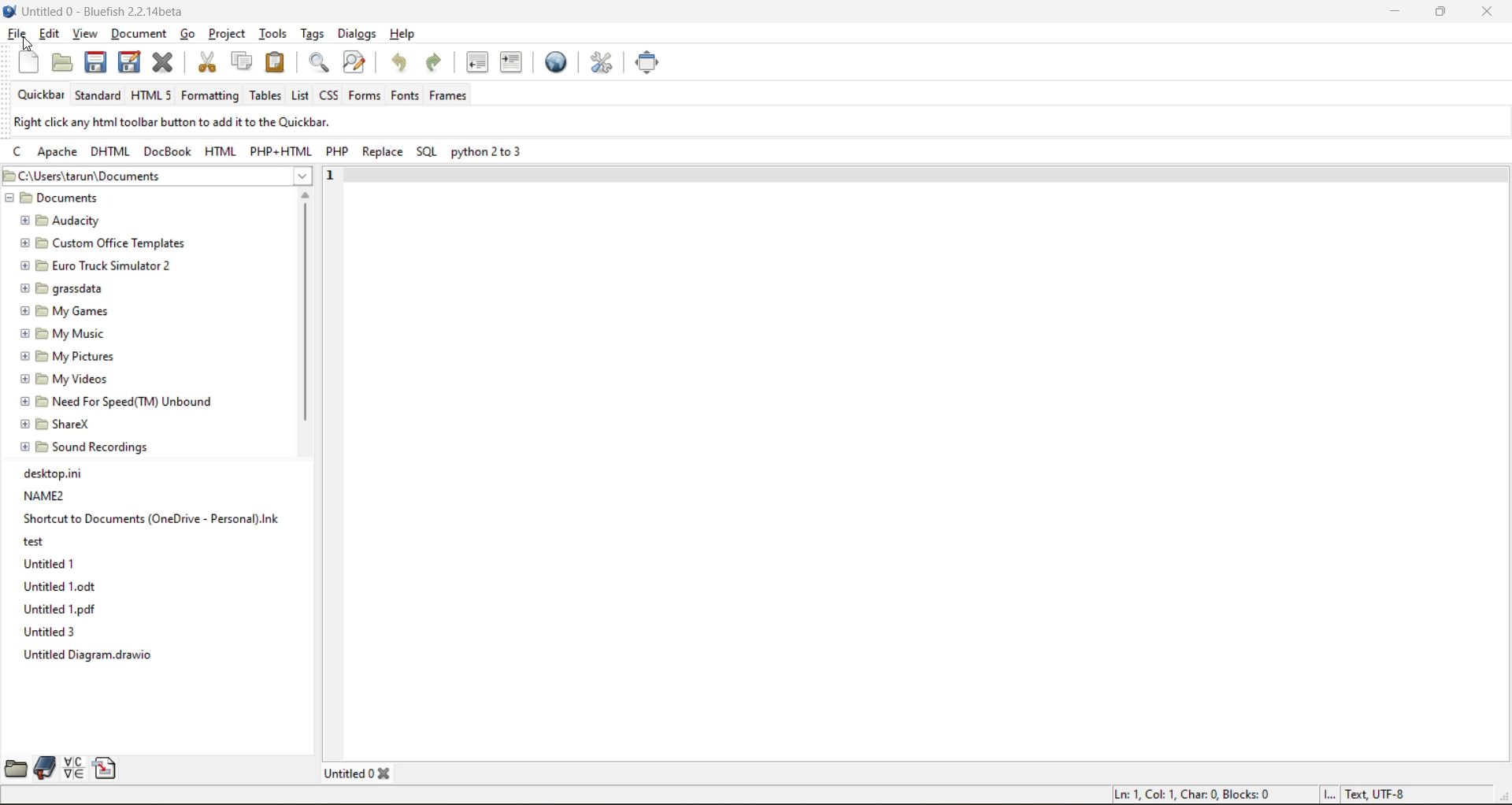  Describe the element at coordinates (50, 496) in the screenshot. I see `NAME2` at that location.